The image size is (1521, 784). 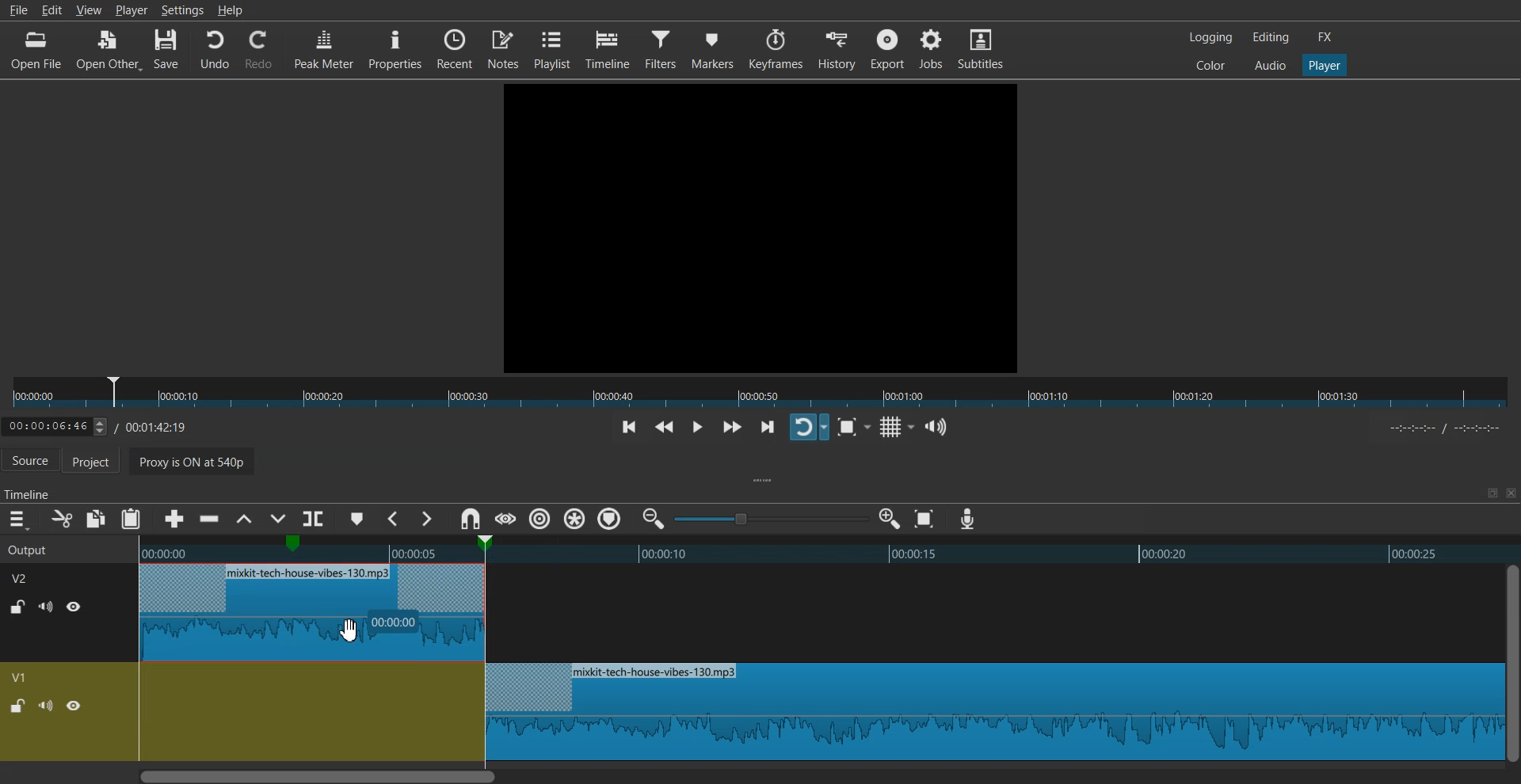 I want to click on Output, so click(x=49, y=548).